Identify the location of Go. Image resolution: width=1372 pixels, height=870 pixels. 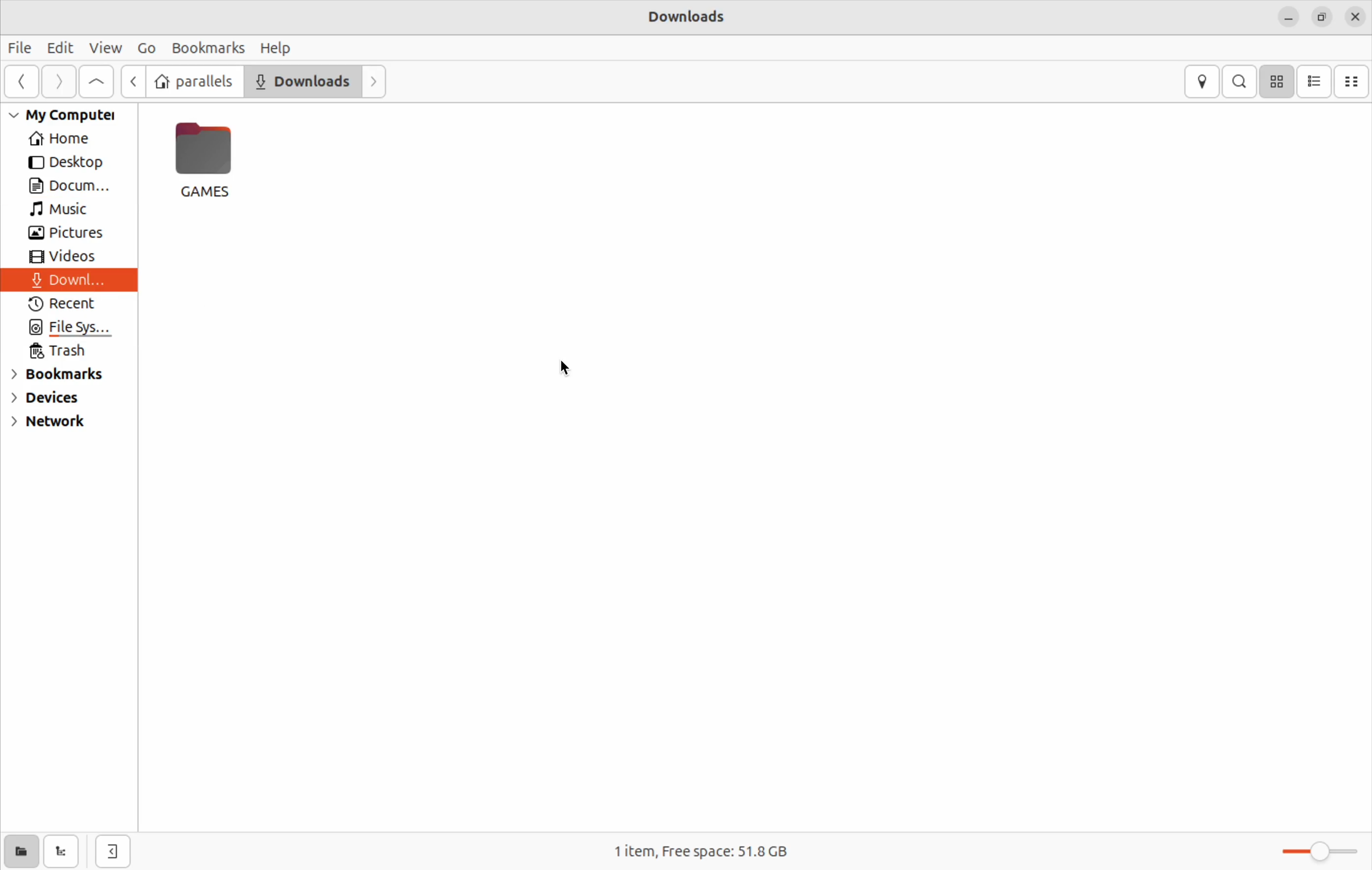
(149, 47).